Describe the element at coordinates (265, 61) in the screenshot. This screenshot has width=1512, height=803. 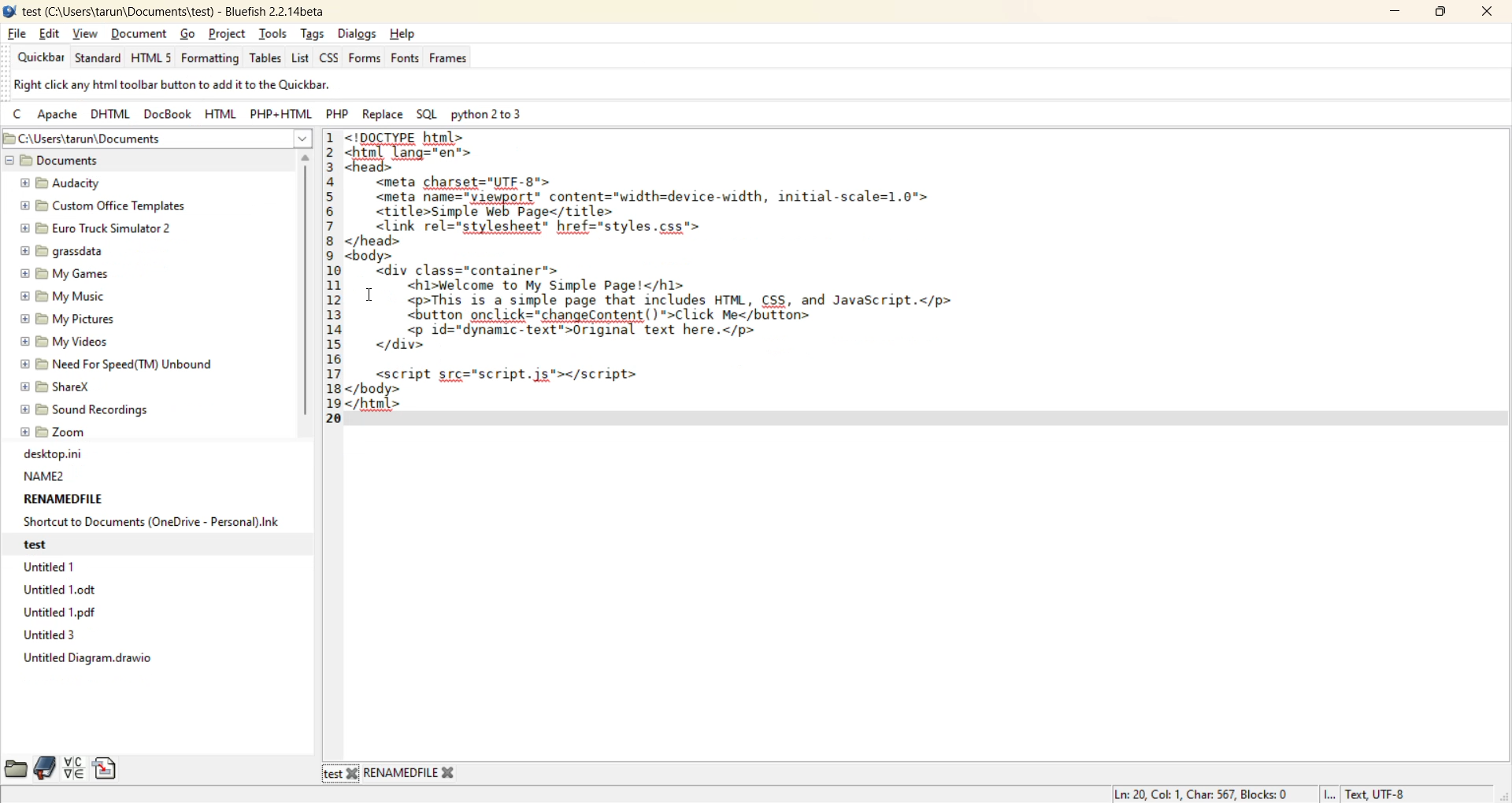
I see `tables` at that location.